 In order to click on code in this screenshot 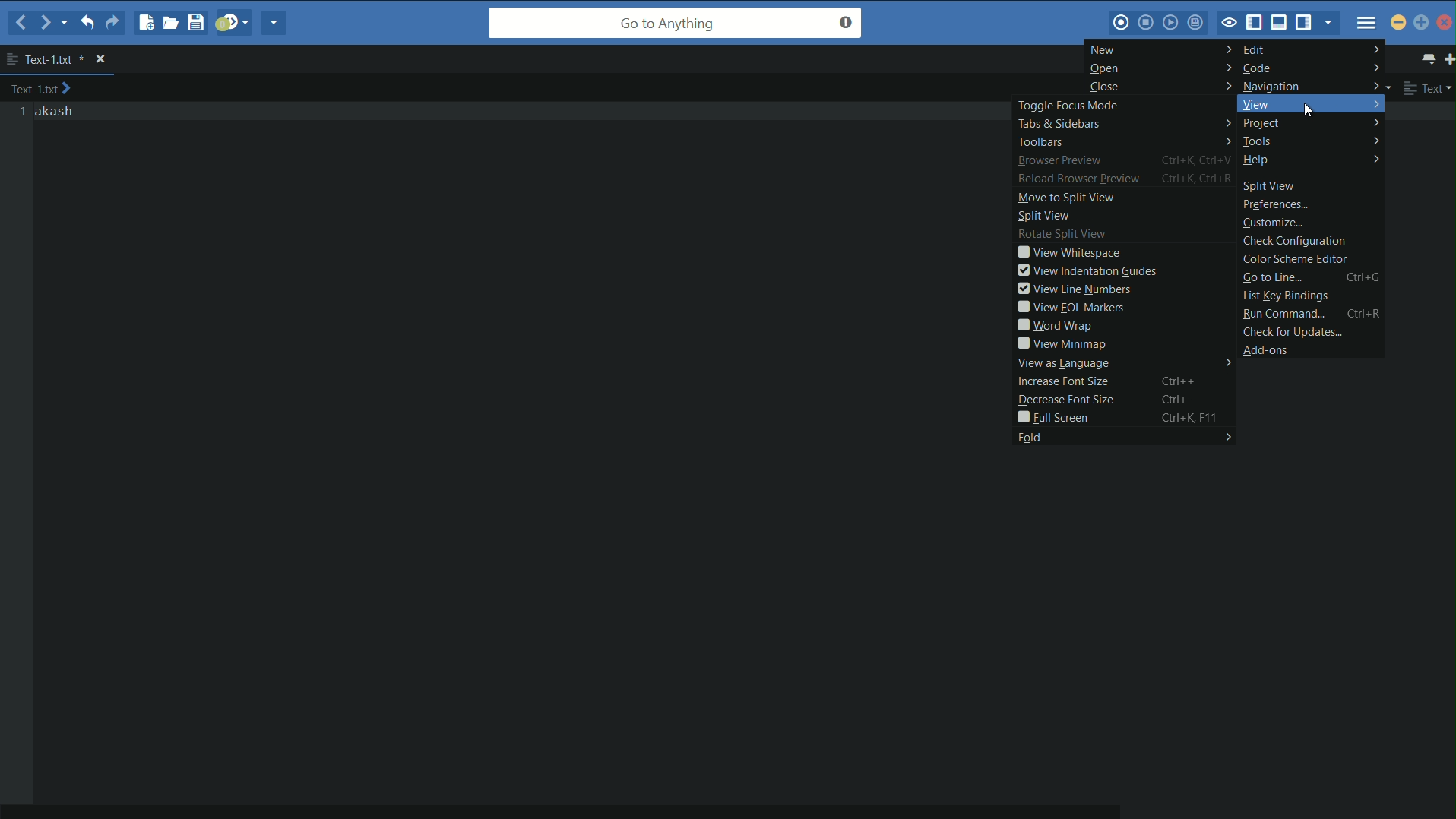, I will do `click(1312, 68)`.